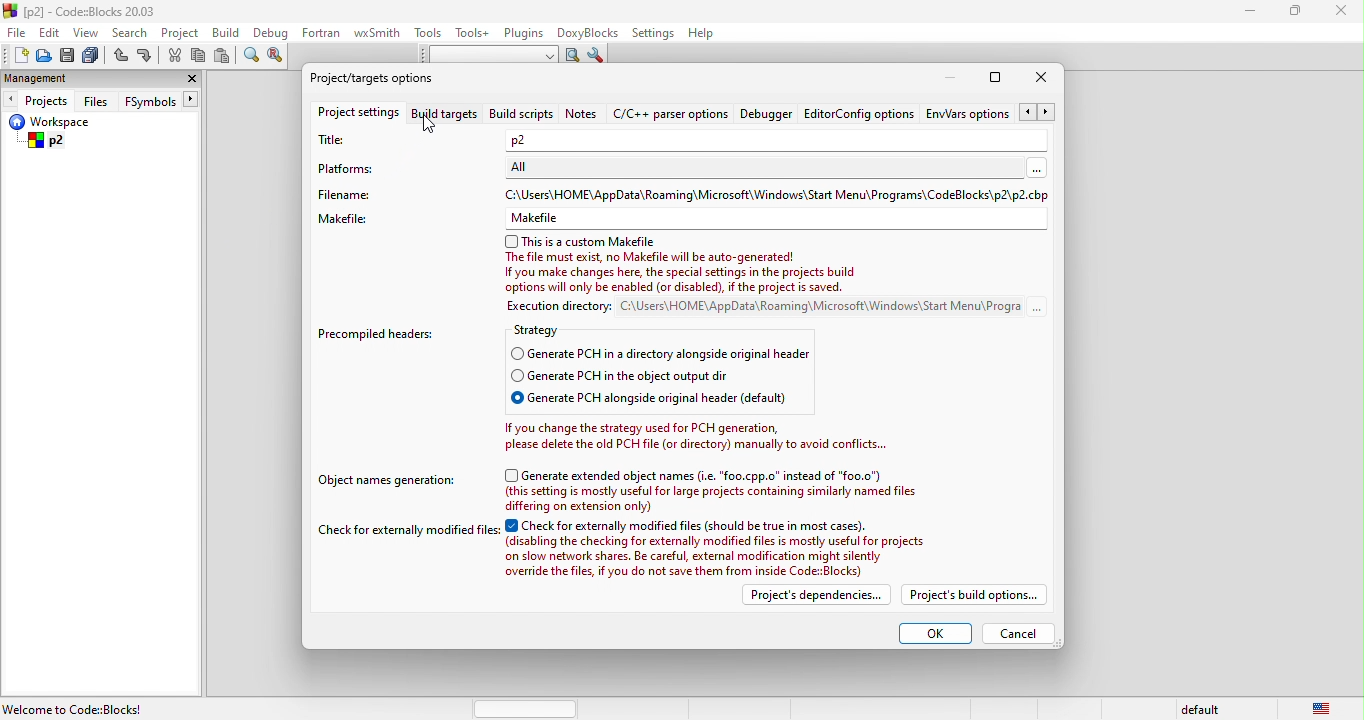 This screenshot has width=1364, height=720. I want to click on Check for externally modified files (should be true in most cases).(disabling the checking for extemally modified files is mostly useful for projectson slow network shares. Be careful, extemal modification might silently override the files, if you do not save them from inside Code:Blocks), so click(720, 549).